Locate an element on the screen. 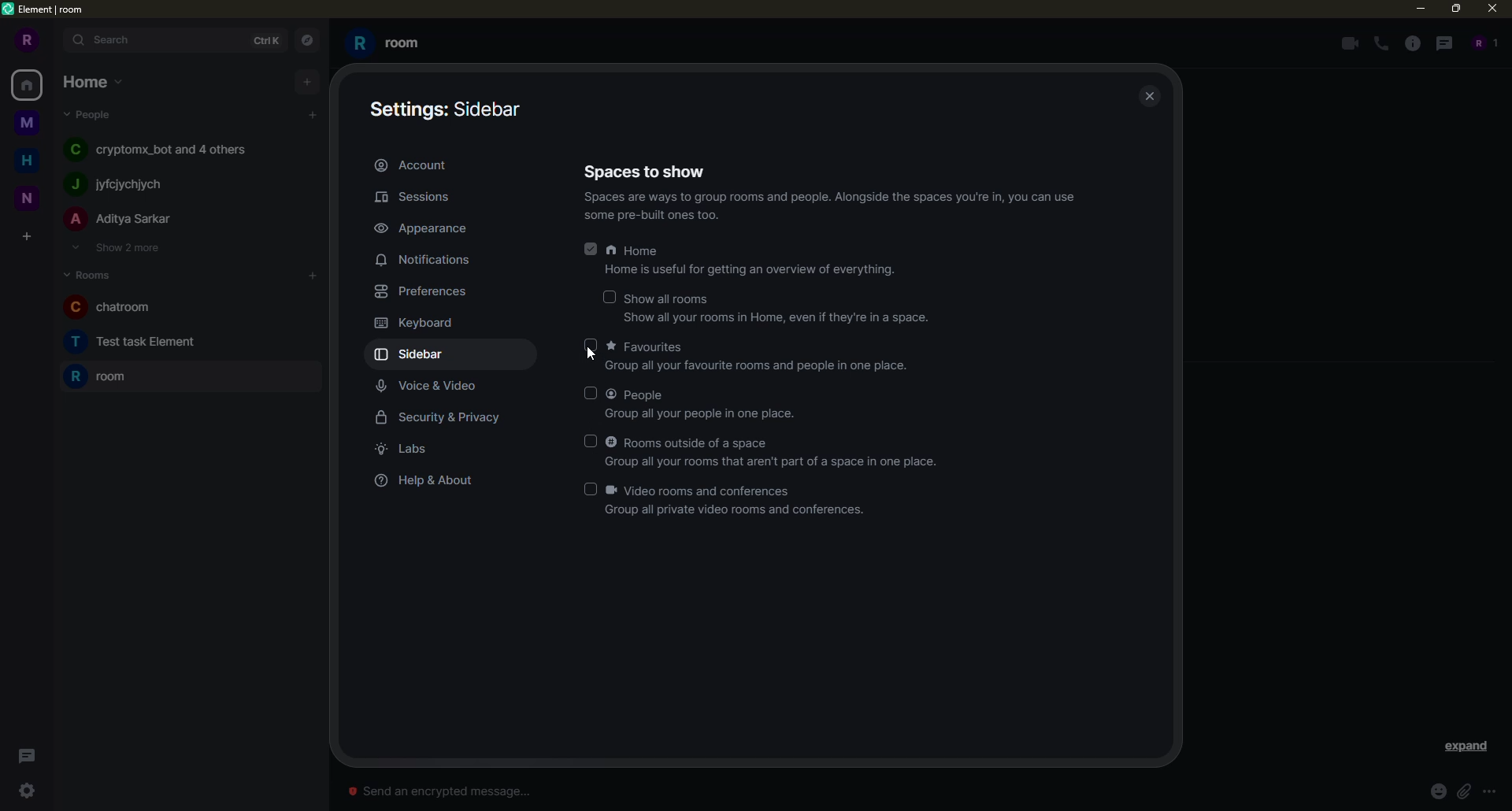 The image size is (1512, 811). add is located at coordinates (309, 80).